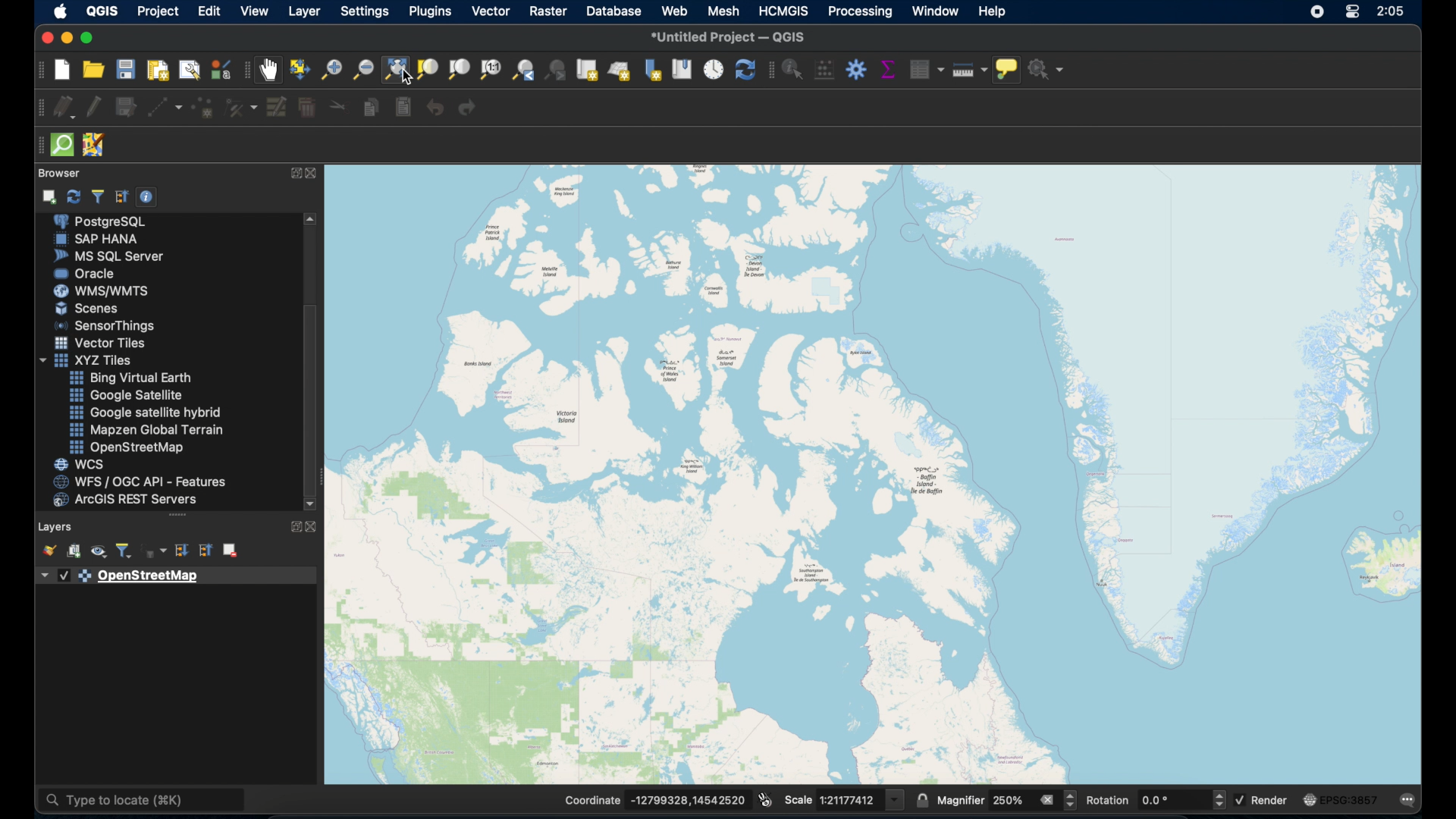  Describe the element at coordinates (98, 196) in the screenshot. I see `filter browser` at that location.